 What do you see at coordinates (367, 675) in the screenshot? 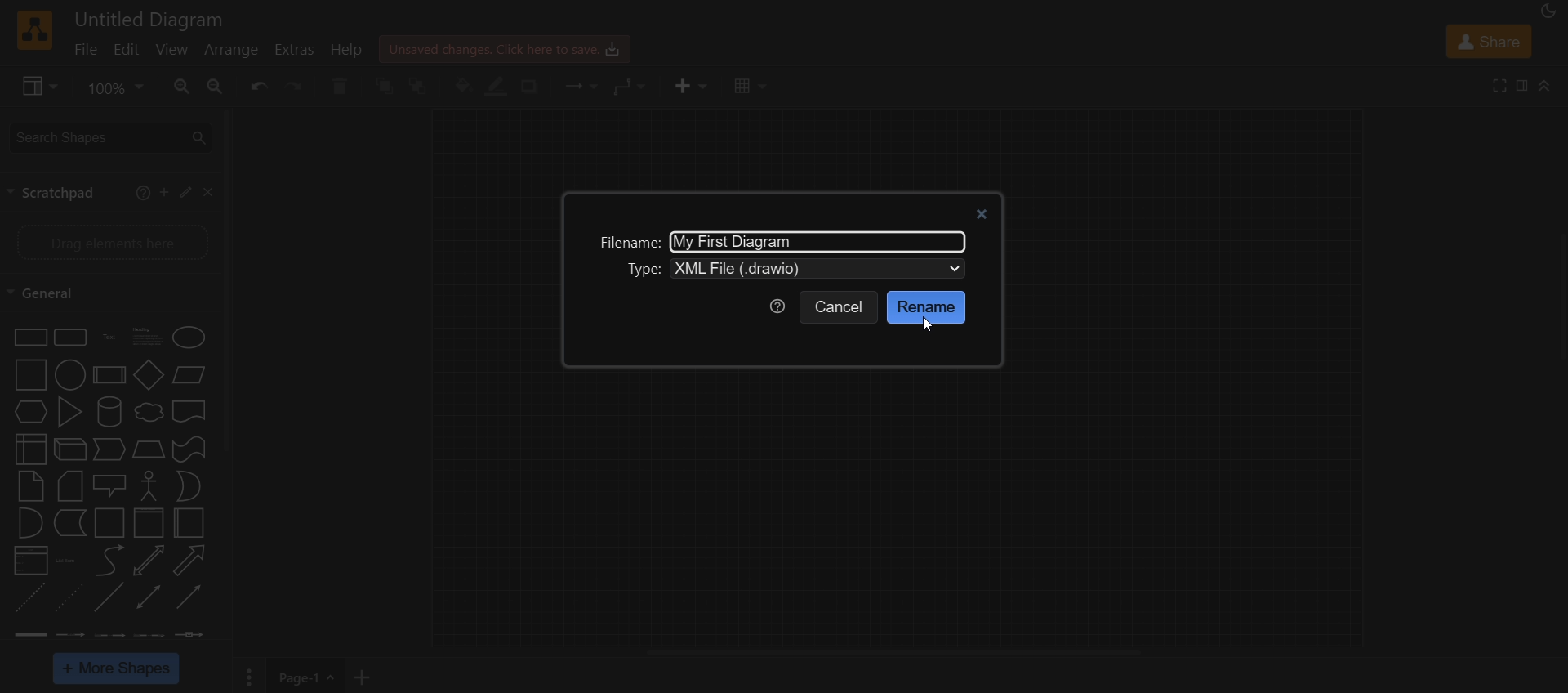
I see `new page` at bounding box center [367, 675].